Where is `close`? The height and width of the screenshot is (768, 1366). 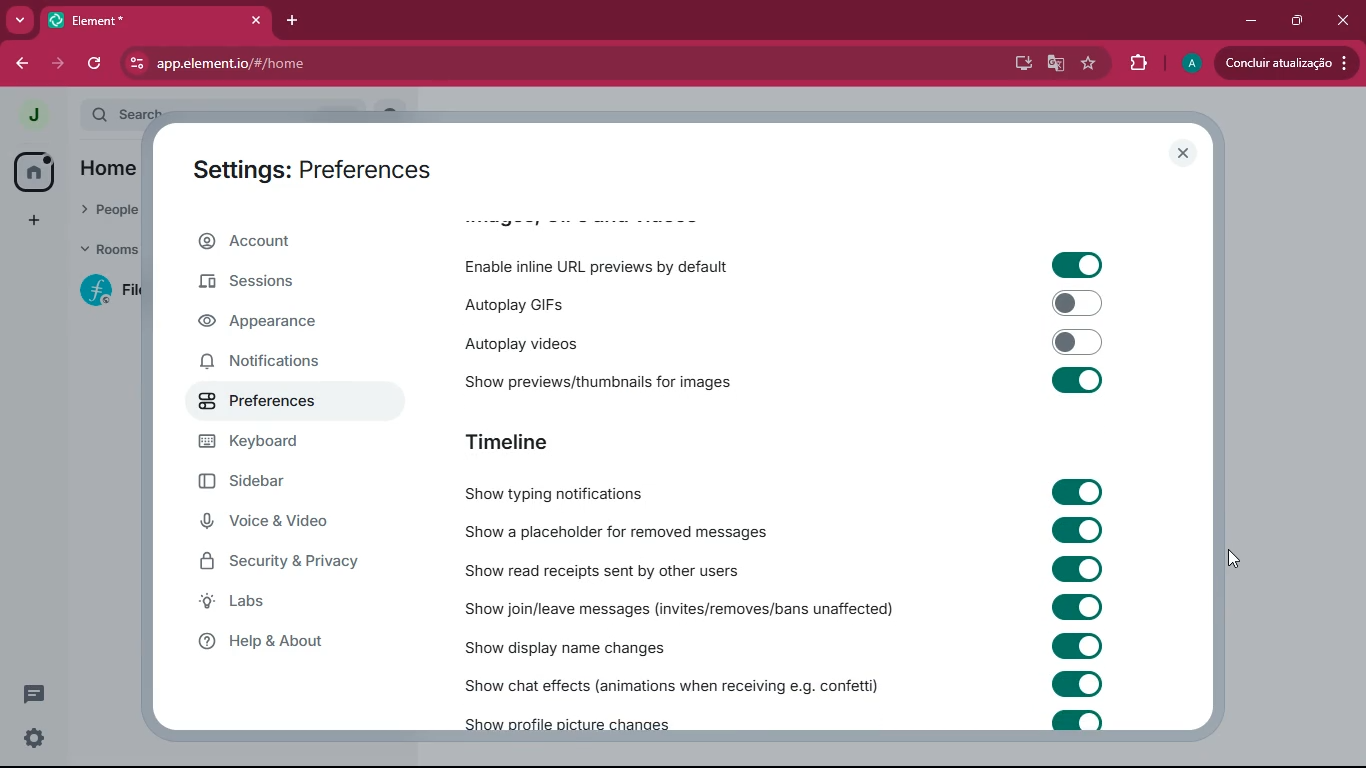 close is located at coordinates (1184, 153).